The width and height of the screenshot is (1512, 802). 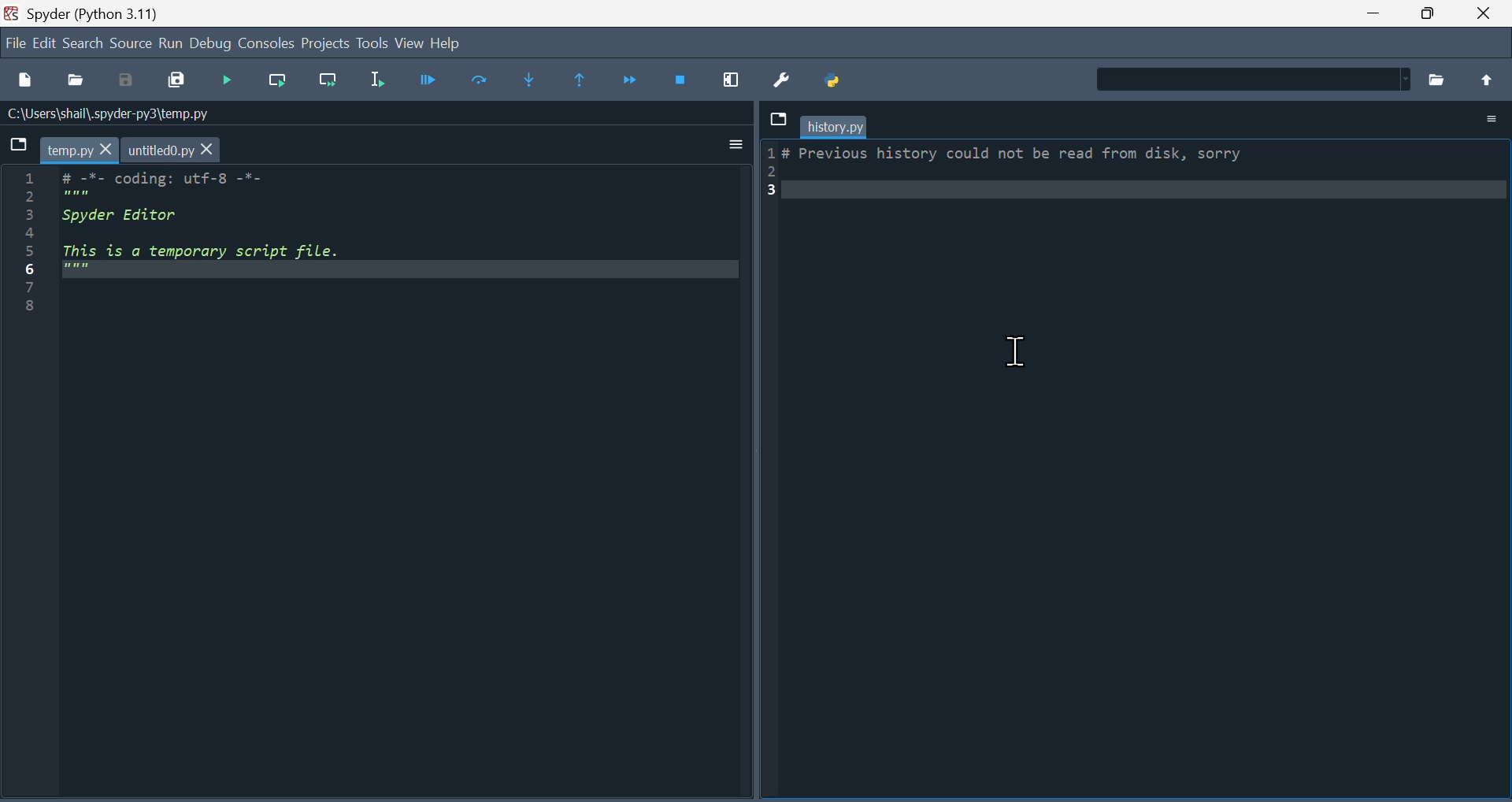 I want to click on Browse, so click(x=1441, y=78).